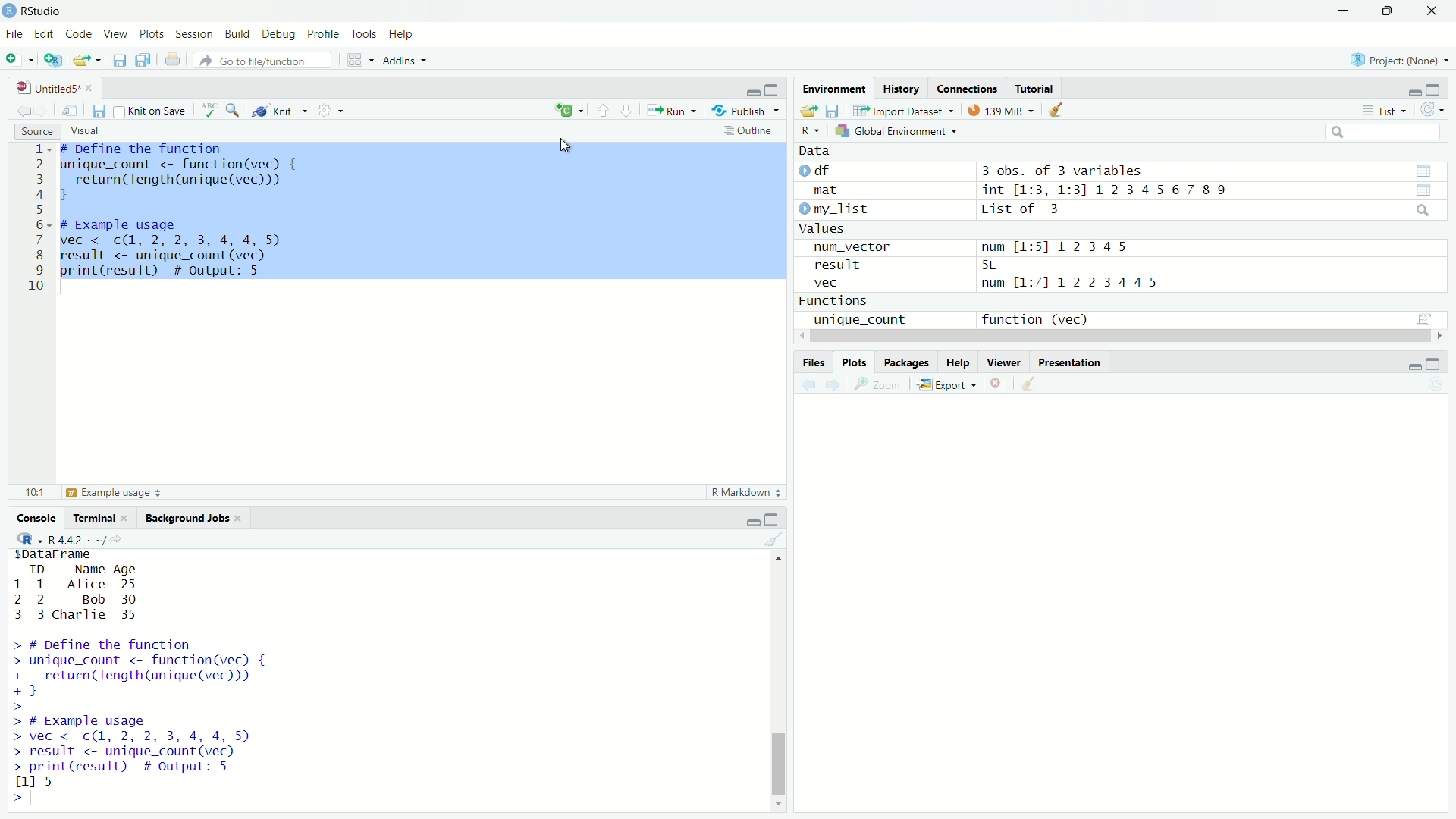 Image resolution: width=1456 pixels, height=819 pixels. Describe the element at coordinates (43, 11) in the screenshot. I see `RStudio` at that location.